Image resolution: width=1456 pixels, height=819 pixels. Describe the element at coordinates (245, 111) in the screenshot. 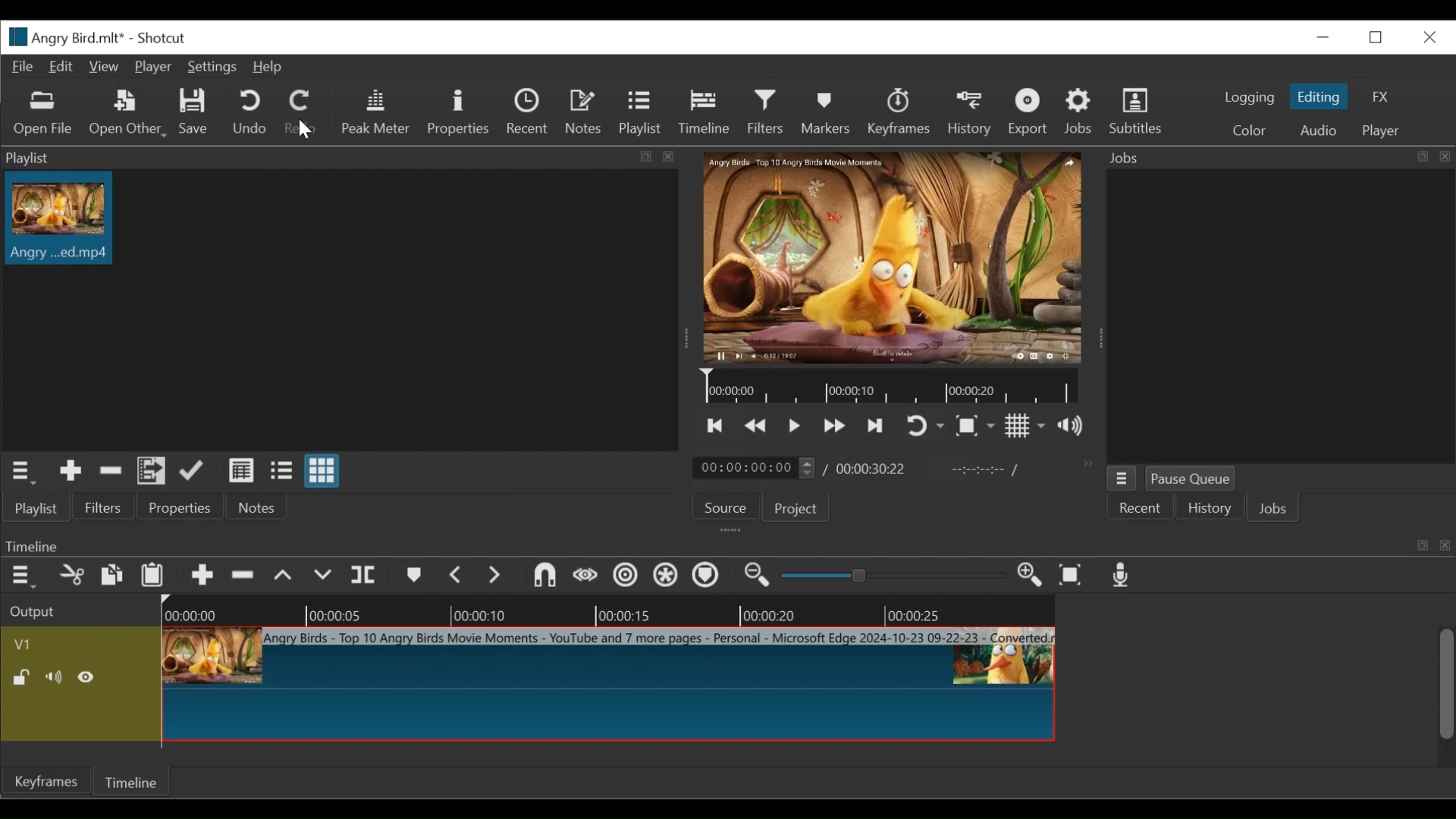

I see `Undo` at that location.